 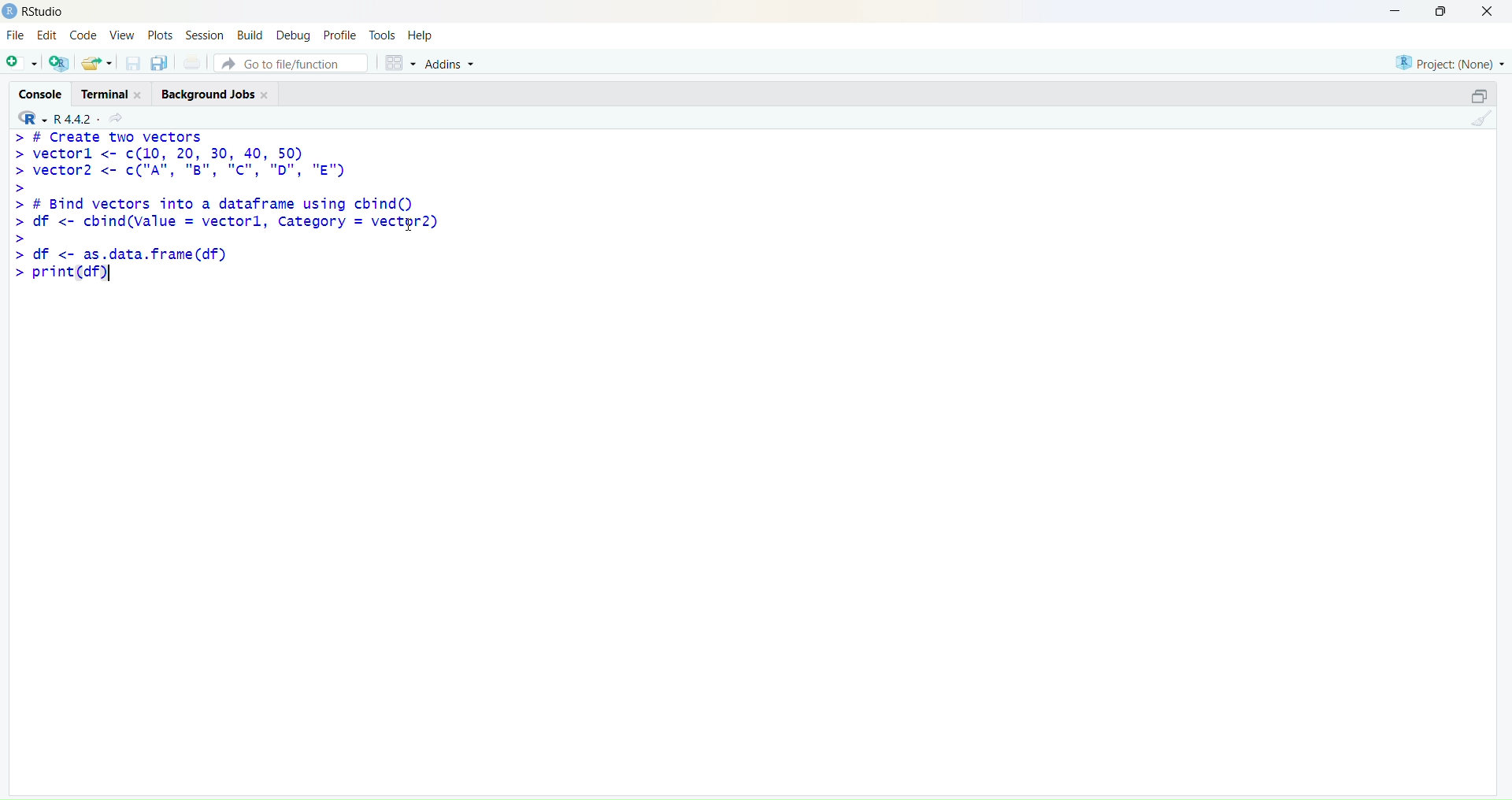 I want to click on Profile, so click(x=339, y=34).